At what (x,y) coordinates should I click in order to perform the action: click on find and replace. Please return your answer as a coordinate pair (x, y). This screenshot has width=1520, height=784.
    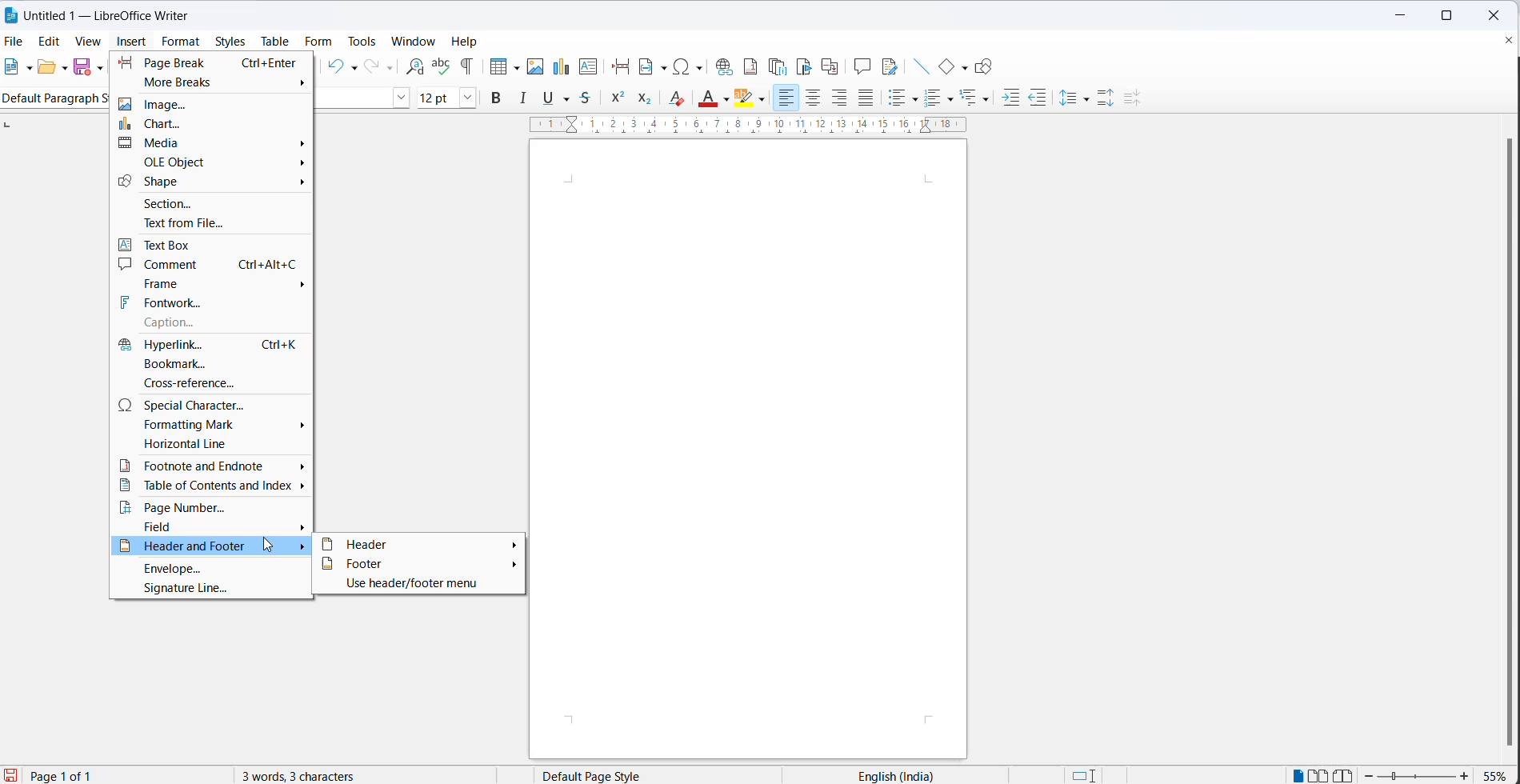
    Looking at the image, I should click on (414, 66).